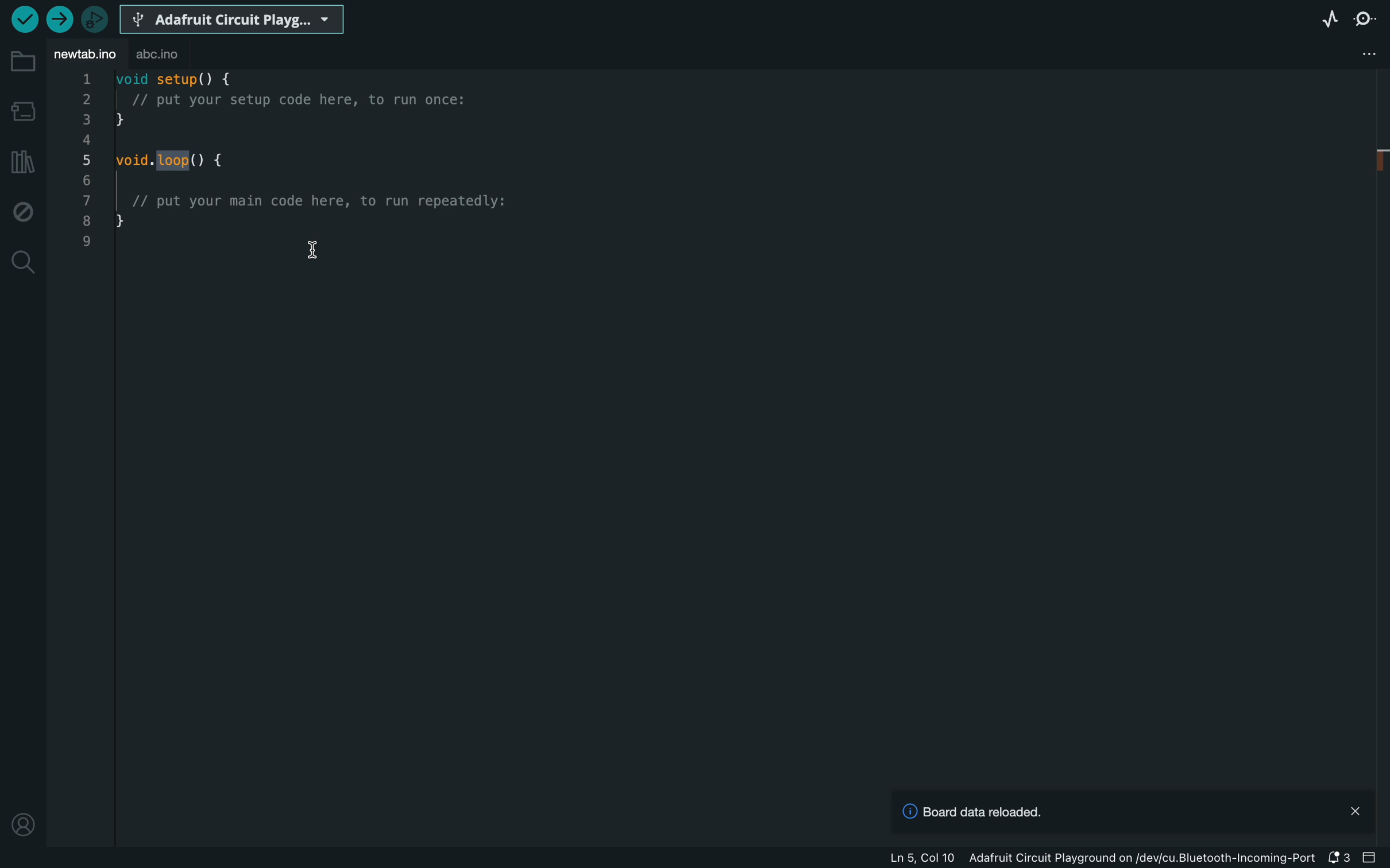 This screenshot has width=1390, height=868. I want to click on close, so click(1356, 809).